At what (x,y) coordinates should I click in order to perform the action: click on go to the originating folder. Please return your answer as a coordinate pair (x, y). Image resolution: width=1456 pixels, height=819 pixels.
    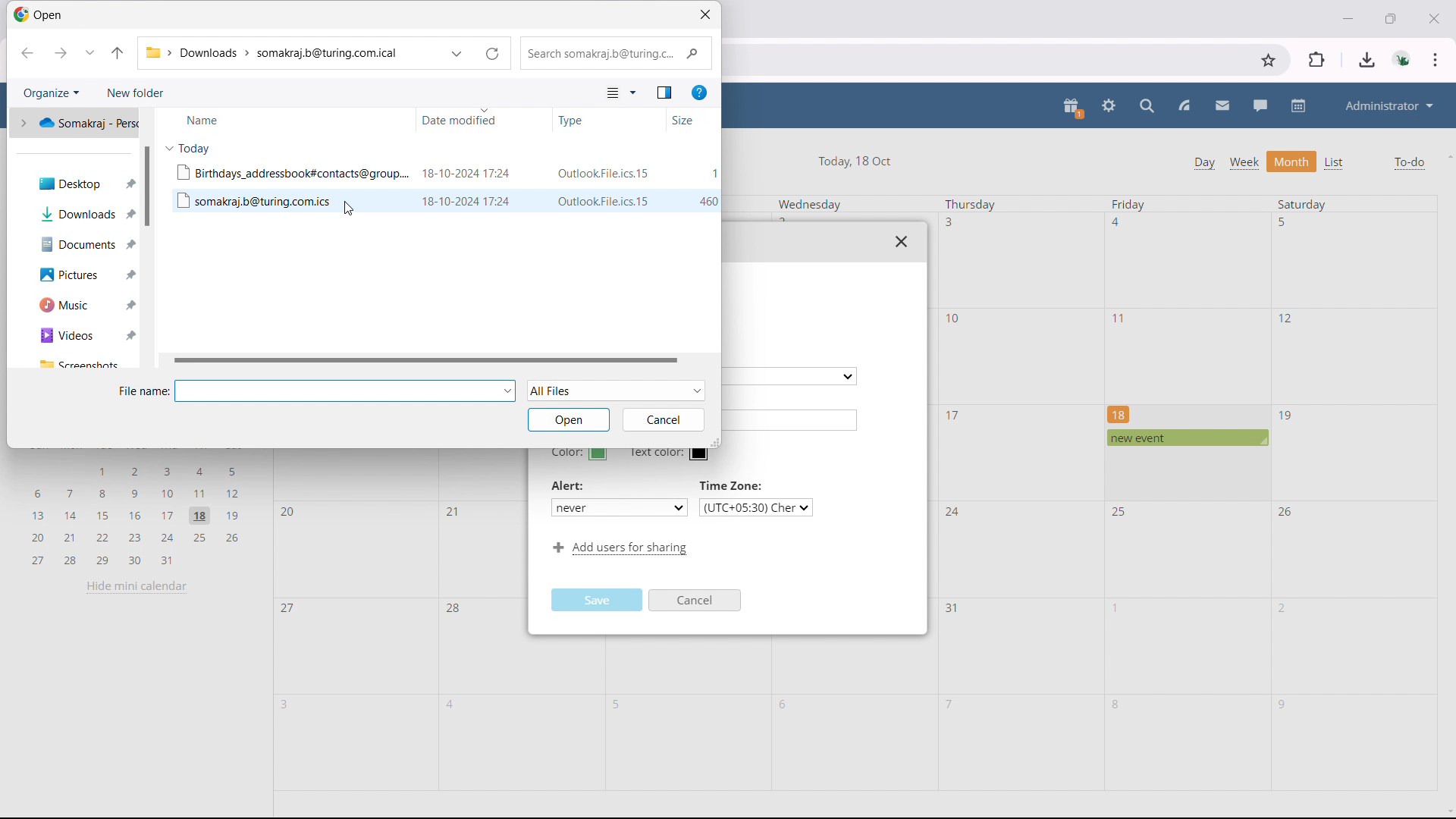
    Looking at the image, I should click on (118, 52).